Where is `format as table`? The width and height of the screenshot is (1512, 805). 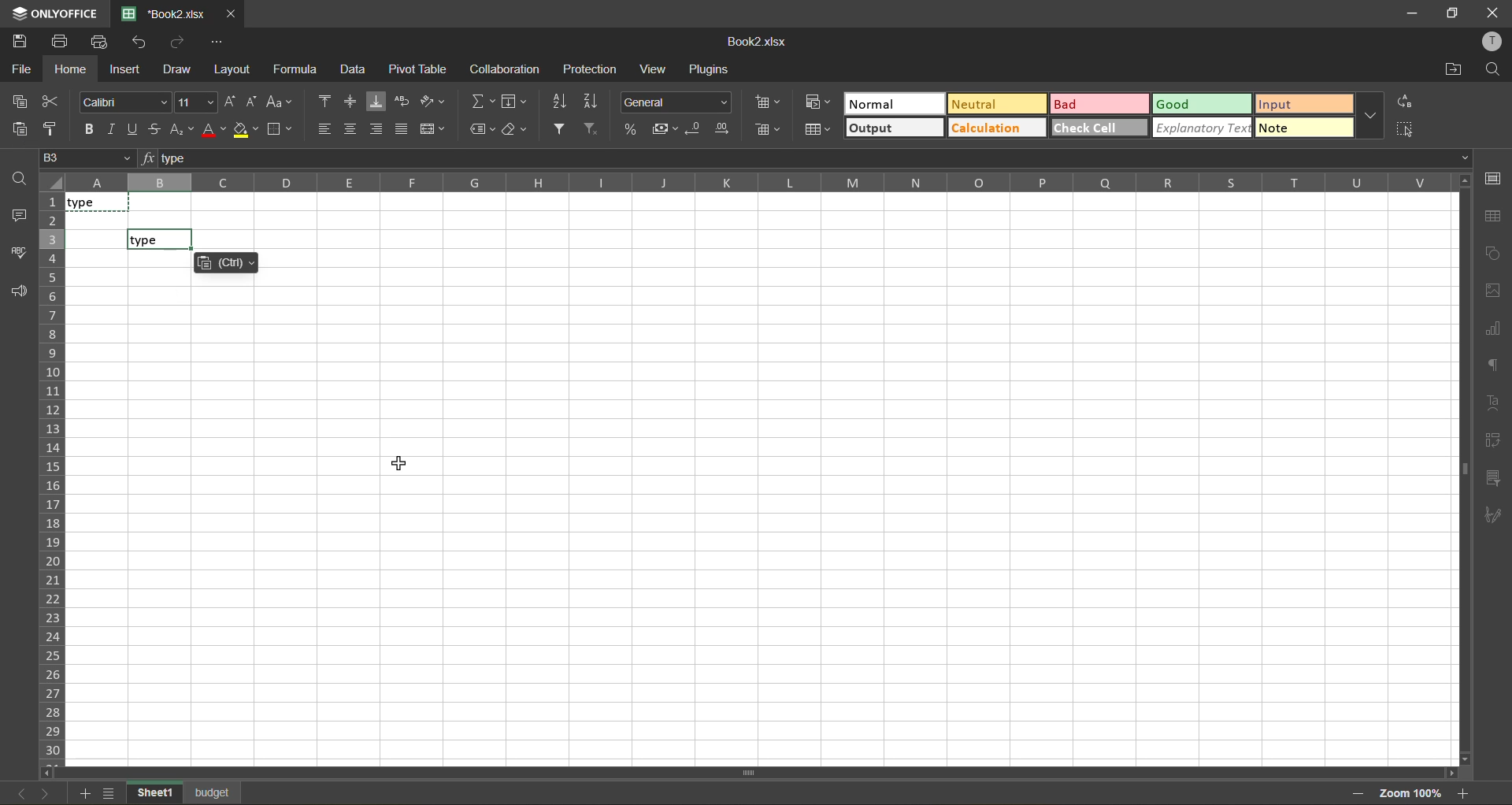
format as table is located at coordinates (817, 130).